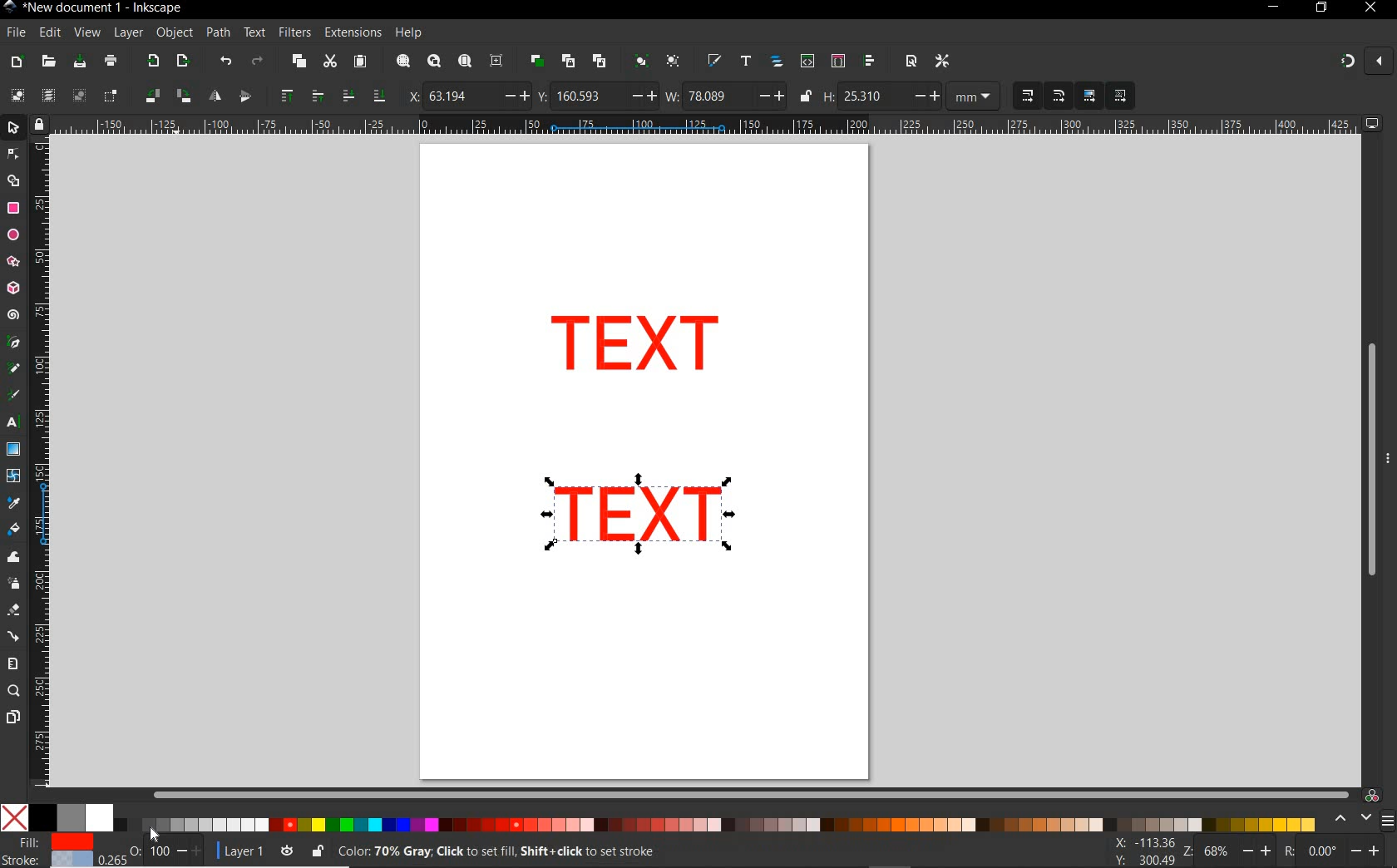  Describe the element at coordinates (153, 850) in the screenshot. I see `opacity` at that location.